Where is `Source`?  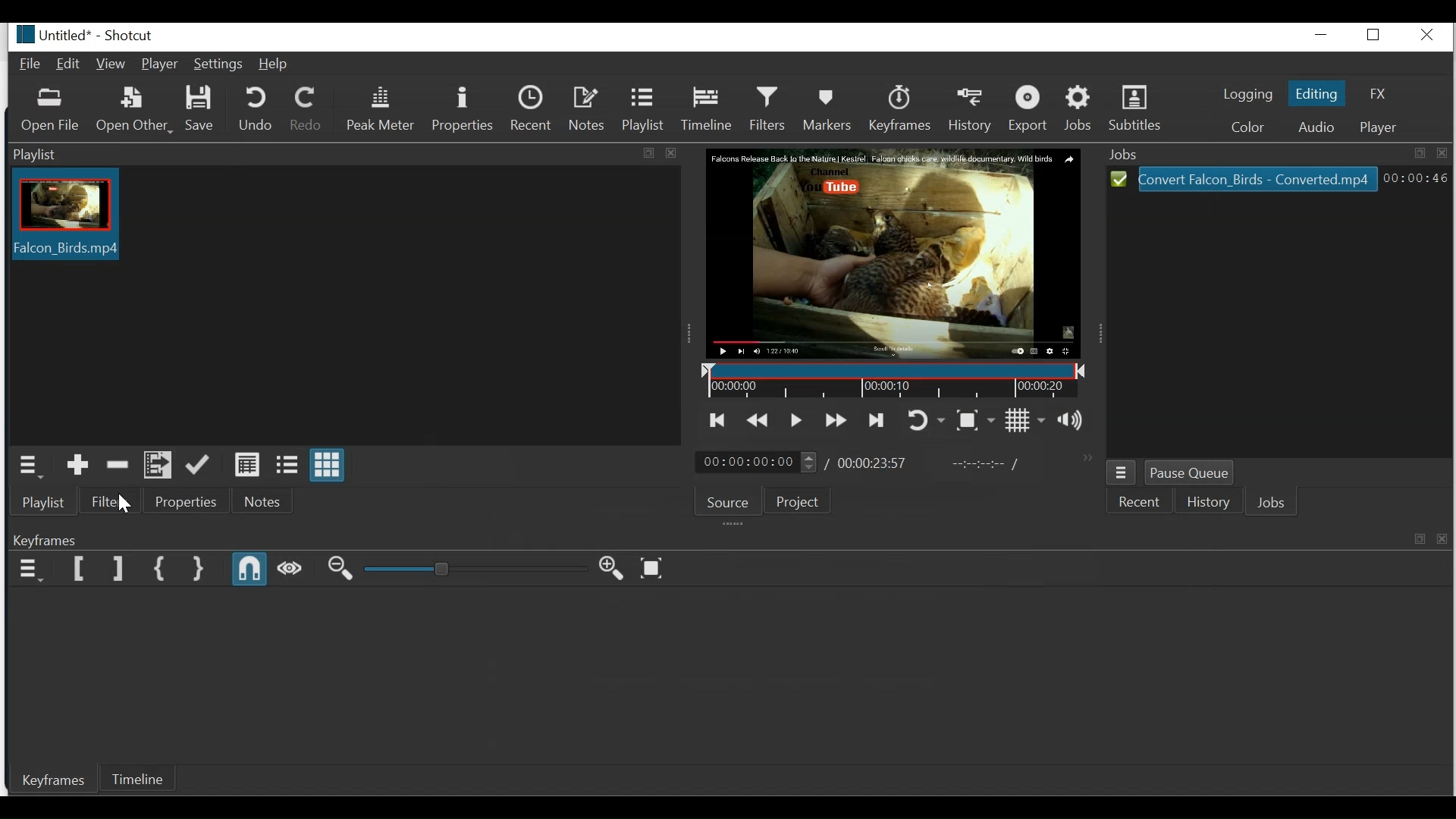
Source is located at coordinates (730, 501).